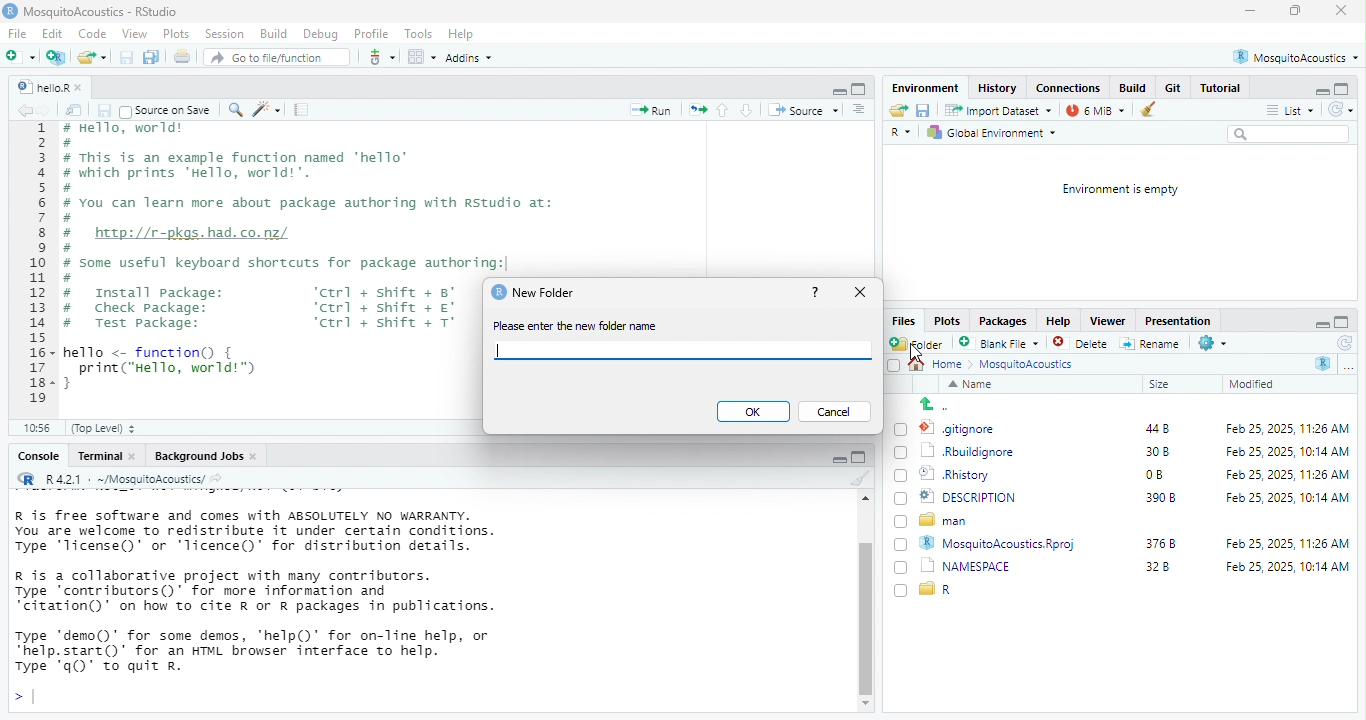 This screenshot has height=720, width=1366. I want to click on typing cursor, so click(504, 348).